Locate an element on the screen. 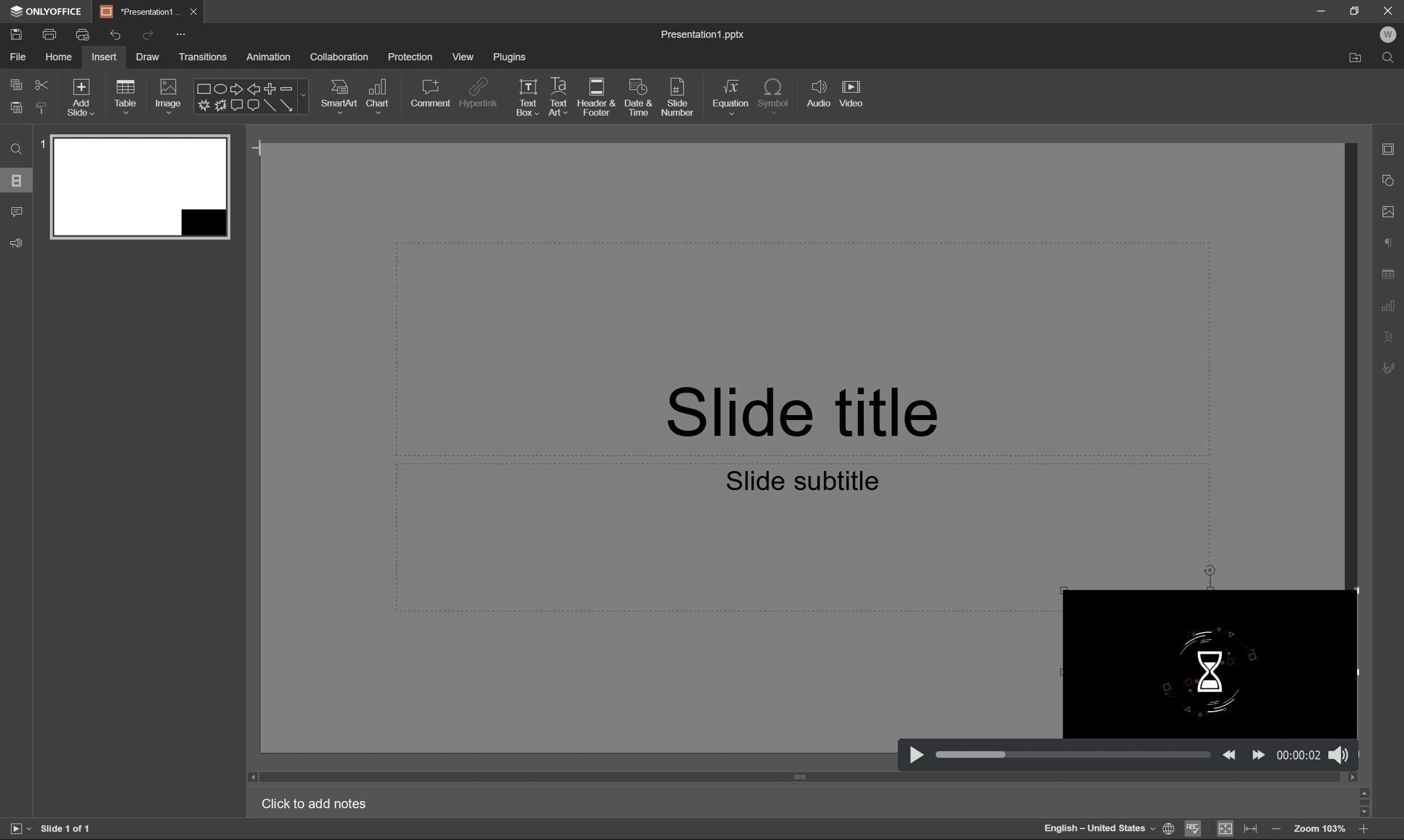  comment is located at coordinates (431, 94).